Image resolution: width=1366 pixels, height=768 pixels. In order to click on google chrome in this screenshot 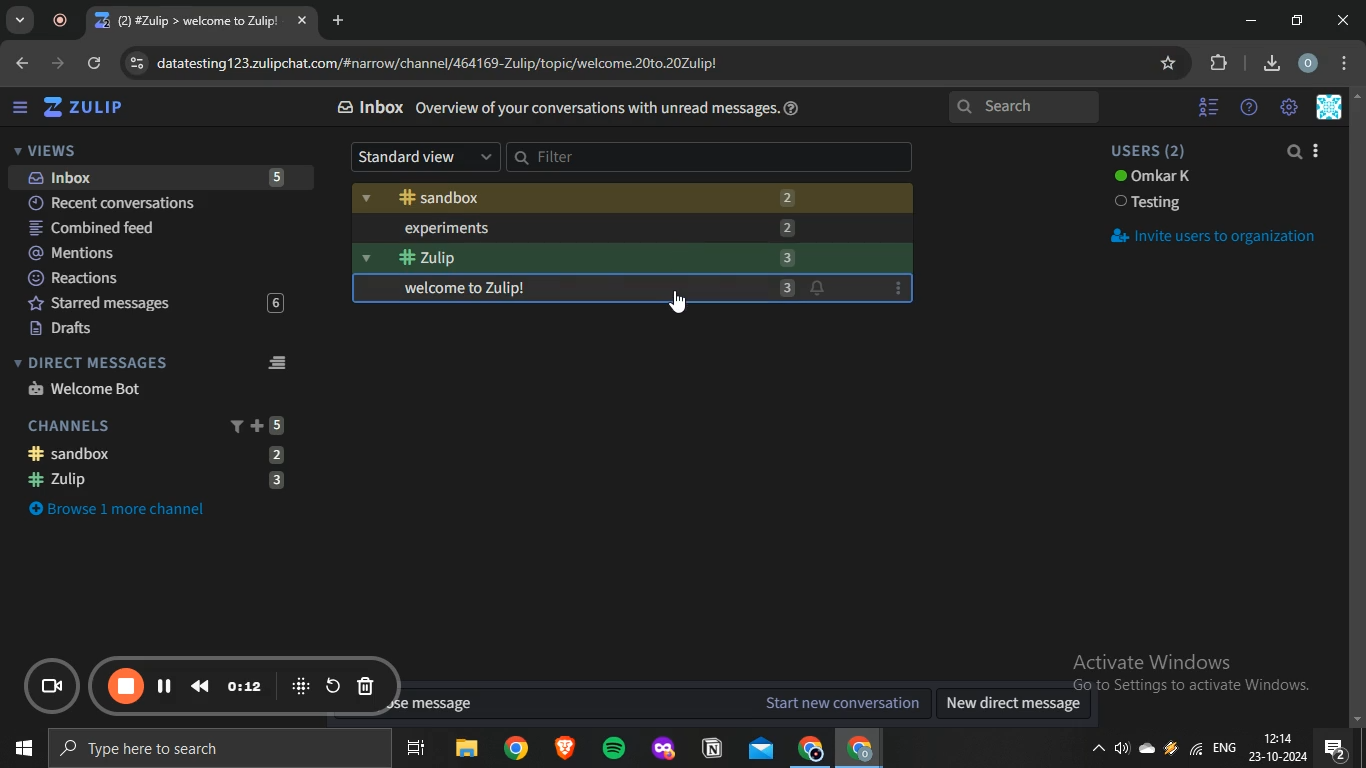, I will do `click(809, 749)`.